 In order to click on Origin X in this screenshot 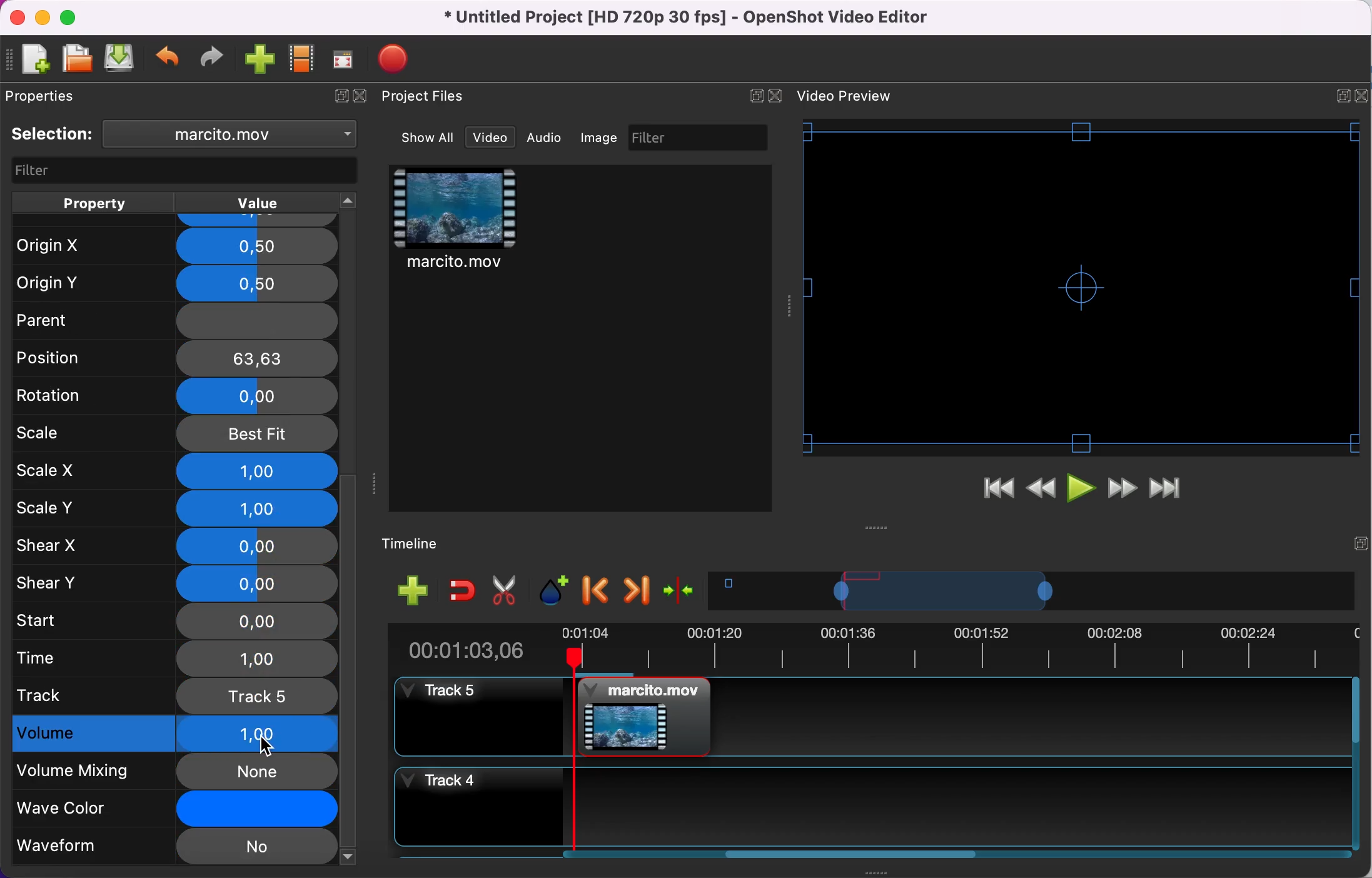, I will do `click(174, 246)`.